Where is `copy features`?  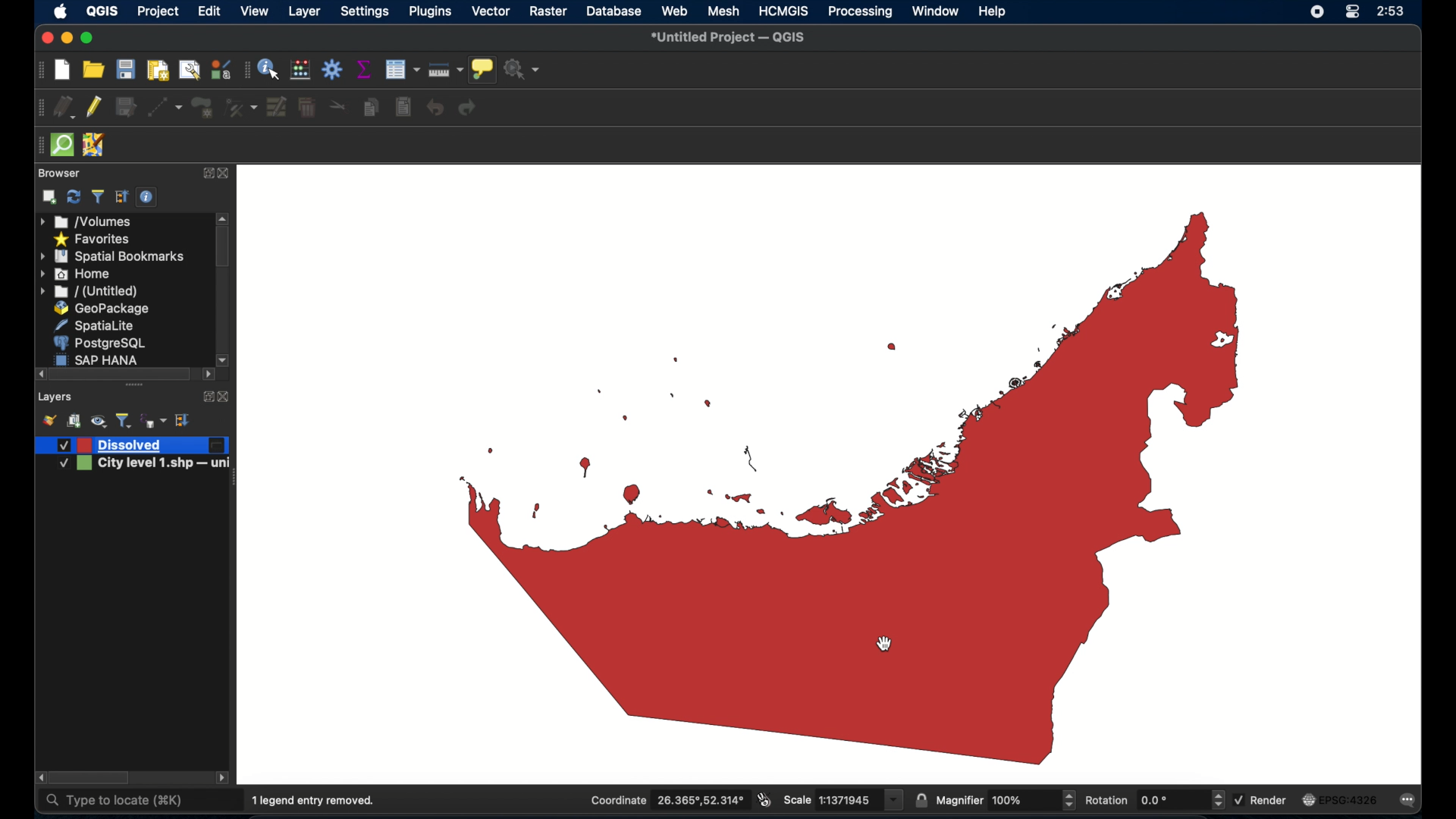 copy features is located at coordinates (371, 107).